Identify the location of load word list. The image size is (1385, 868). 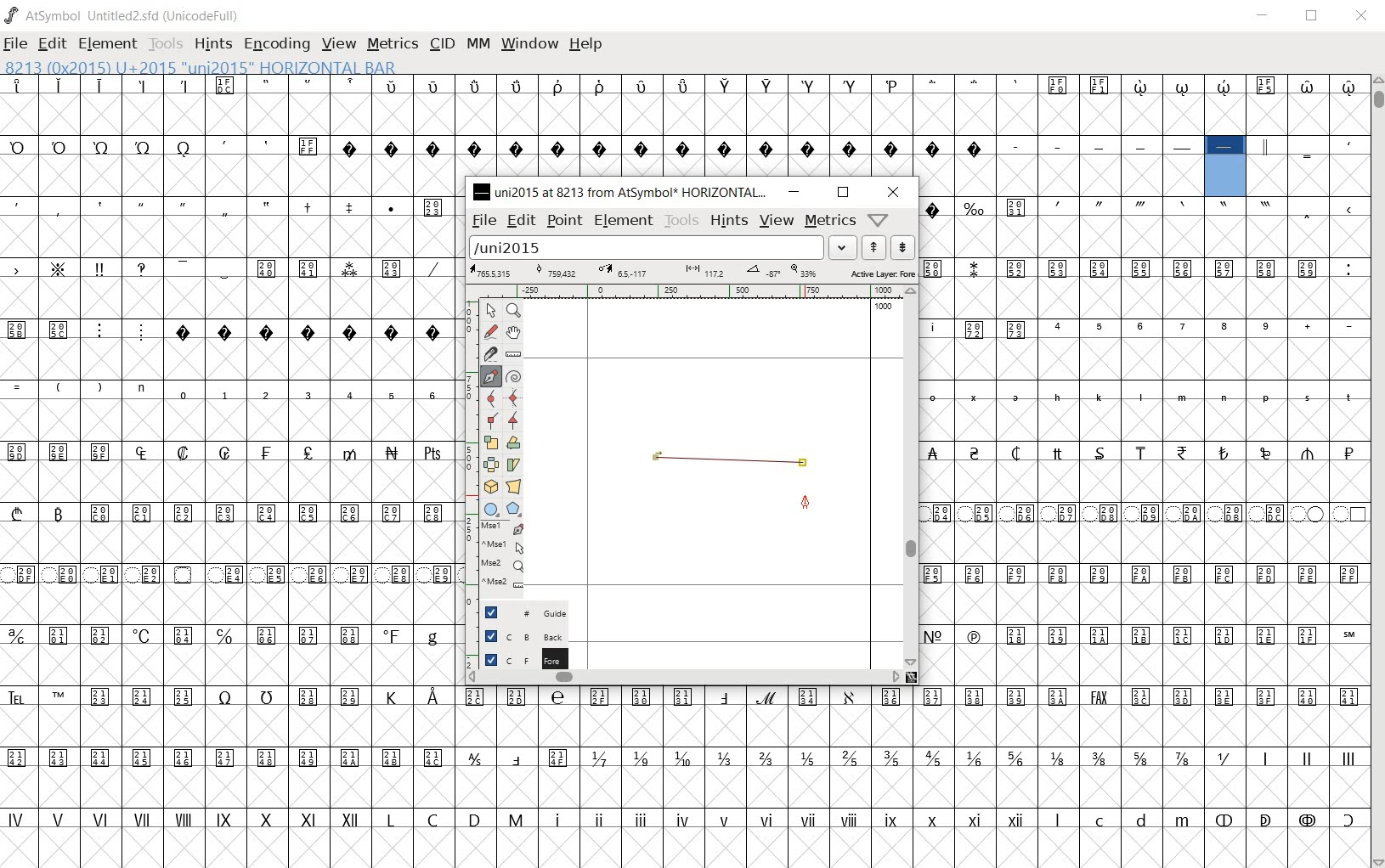
(661, 248).